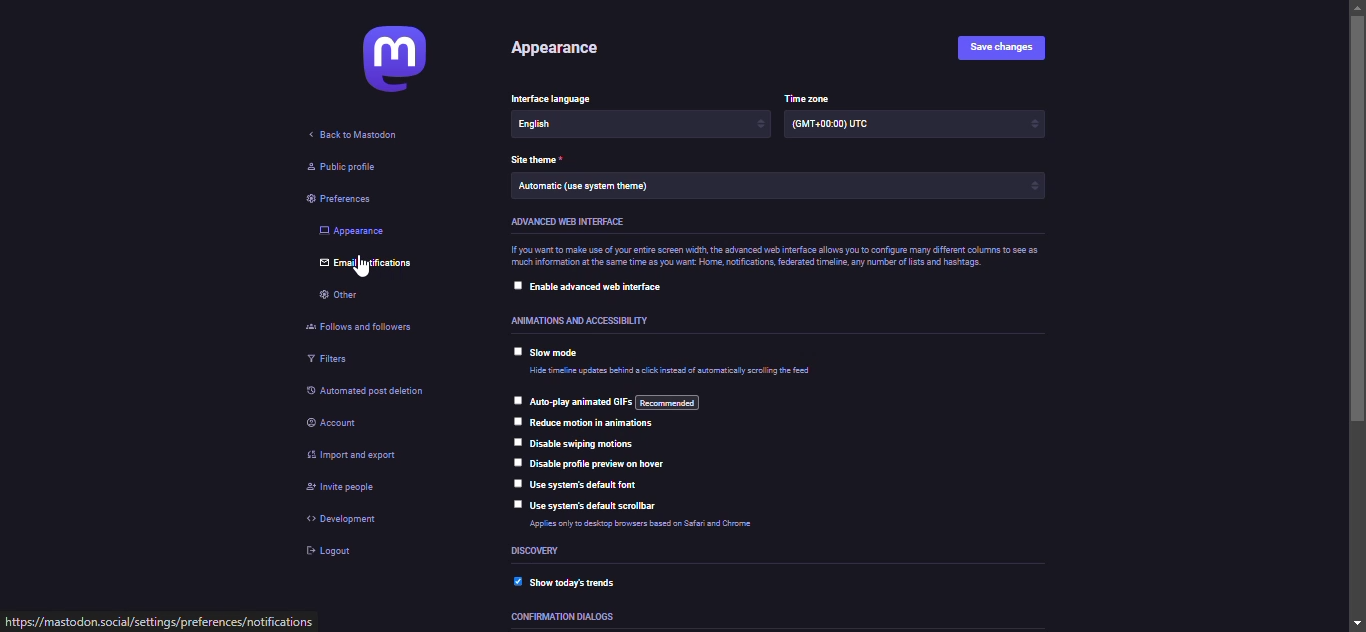  I want to click on click to select, so click(516, 463).